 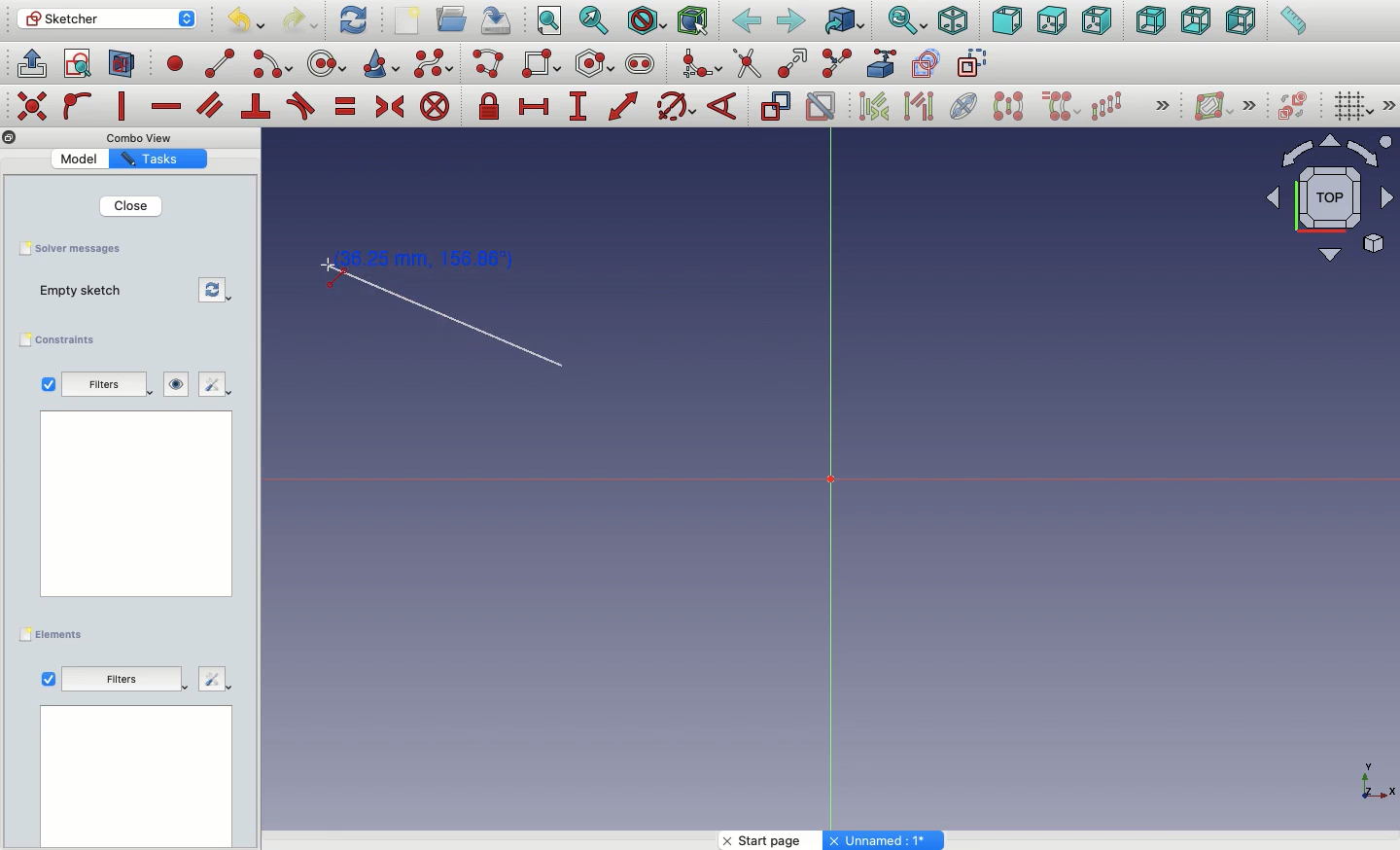 What do you see at coordinates (123, 680) in the screenshot?
I see `` at bounding box center [123, 680].